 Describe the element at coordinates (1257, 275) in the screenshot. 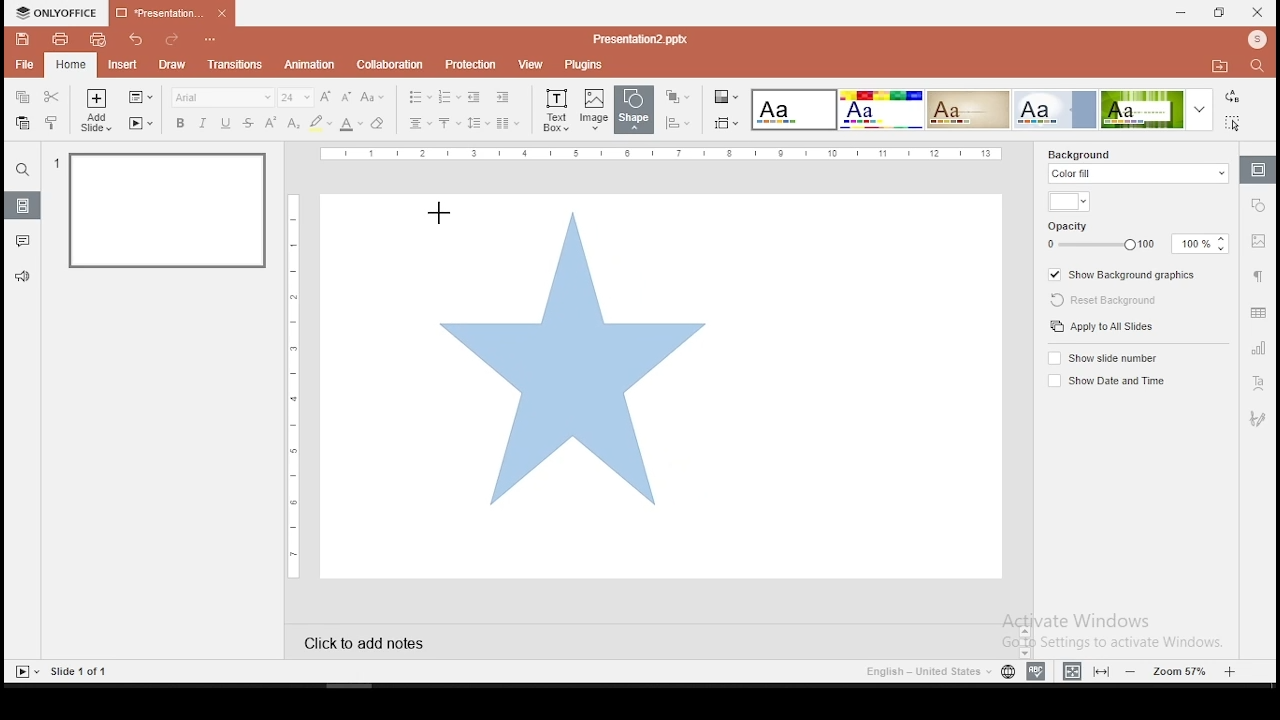

I see `paragraph settings` at that location.